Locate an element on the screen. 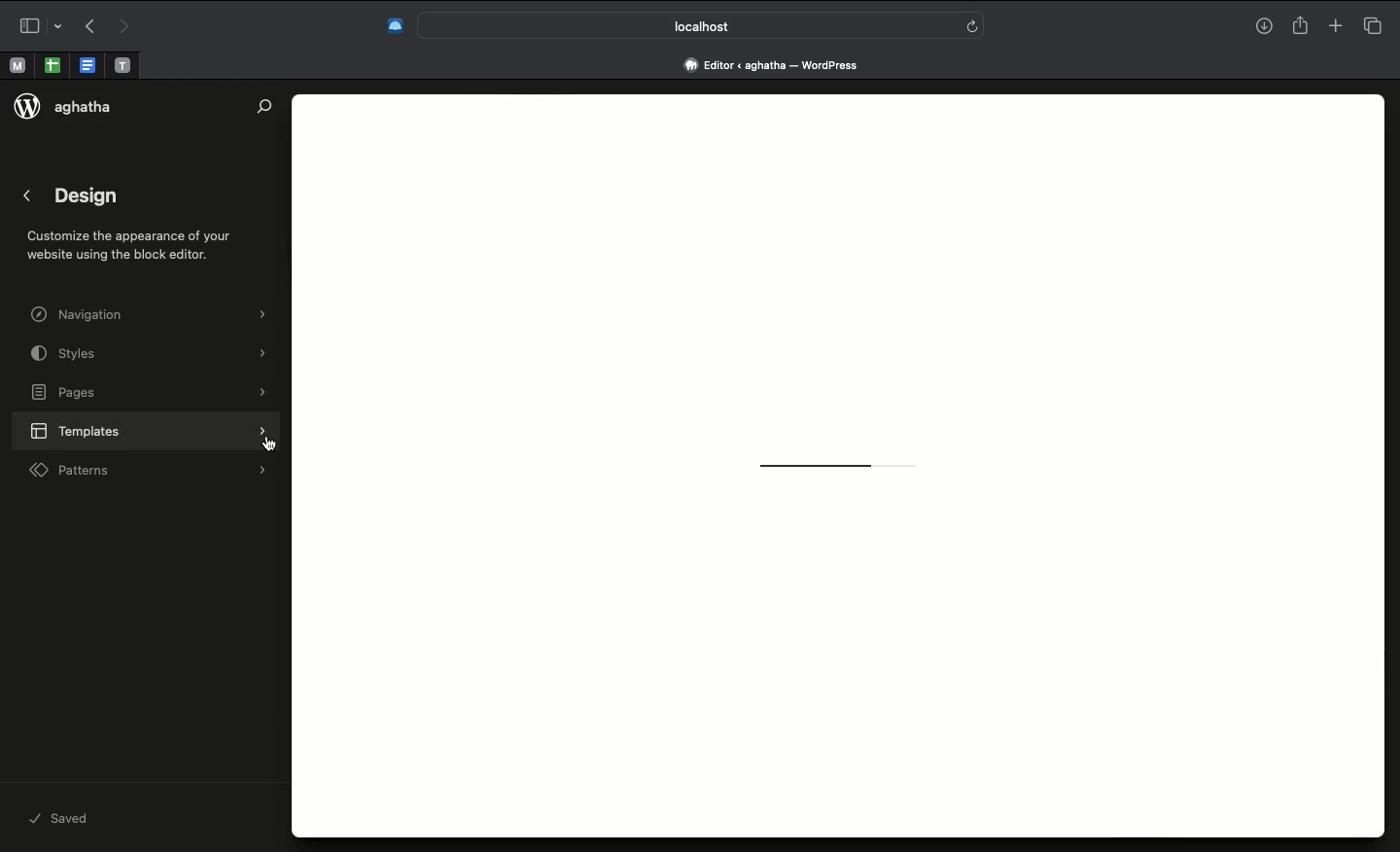 Image resolution: width=1400 pixels, height=852 pixels. logo is located at coordinates (25, 106).